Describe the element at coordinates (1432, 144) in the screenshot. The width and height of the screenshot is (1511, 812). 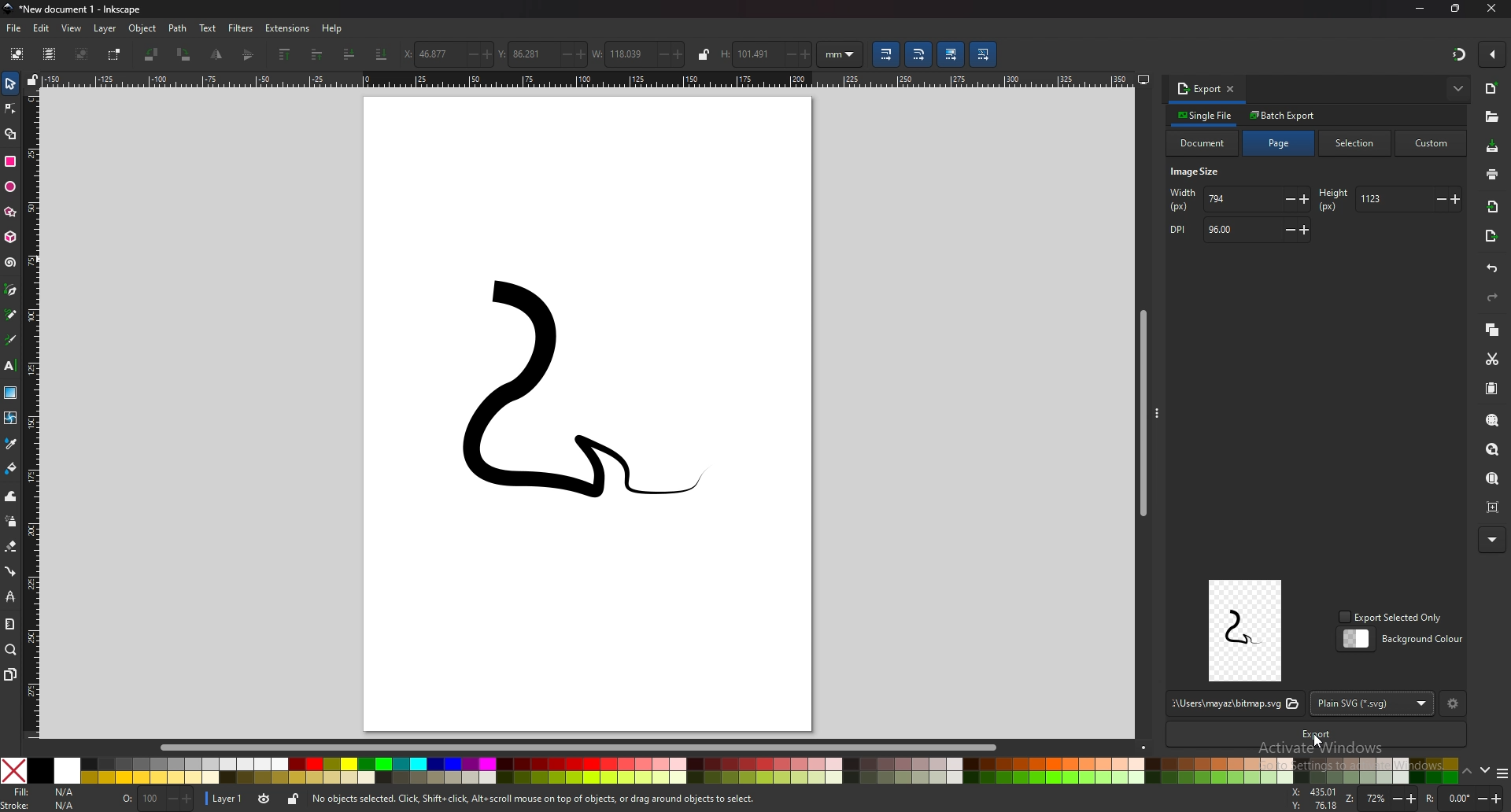
I see `custom` at that location.